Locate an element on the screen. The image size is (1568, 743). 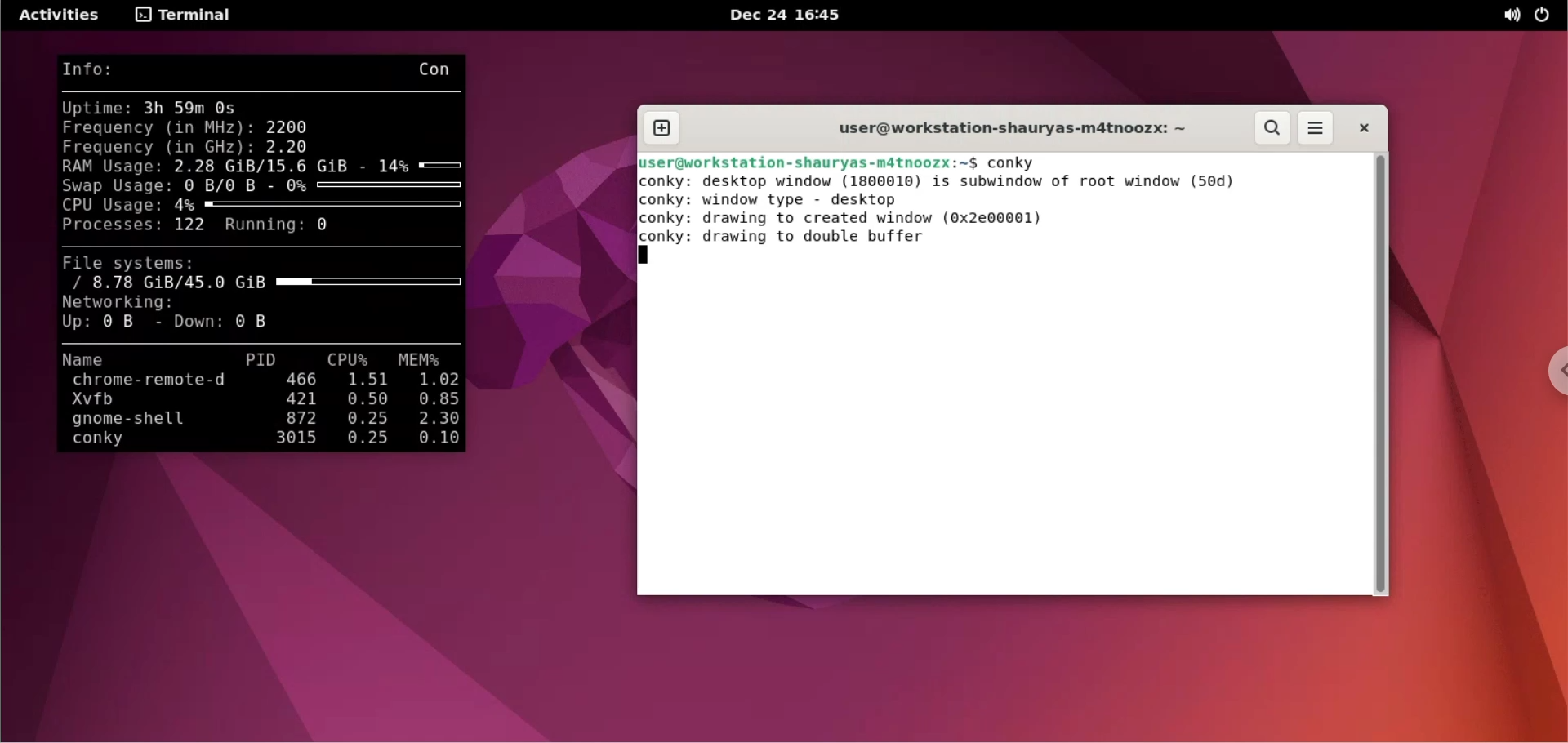
3015 is located at coordinates (283, 440).